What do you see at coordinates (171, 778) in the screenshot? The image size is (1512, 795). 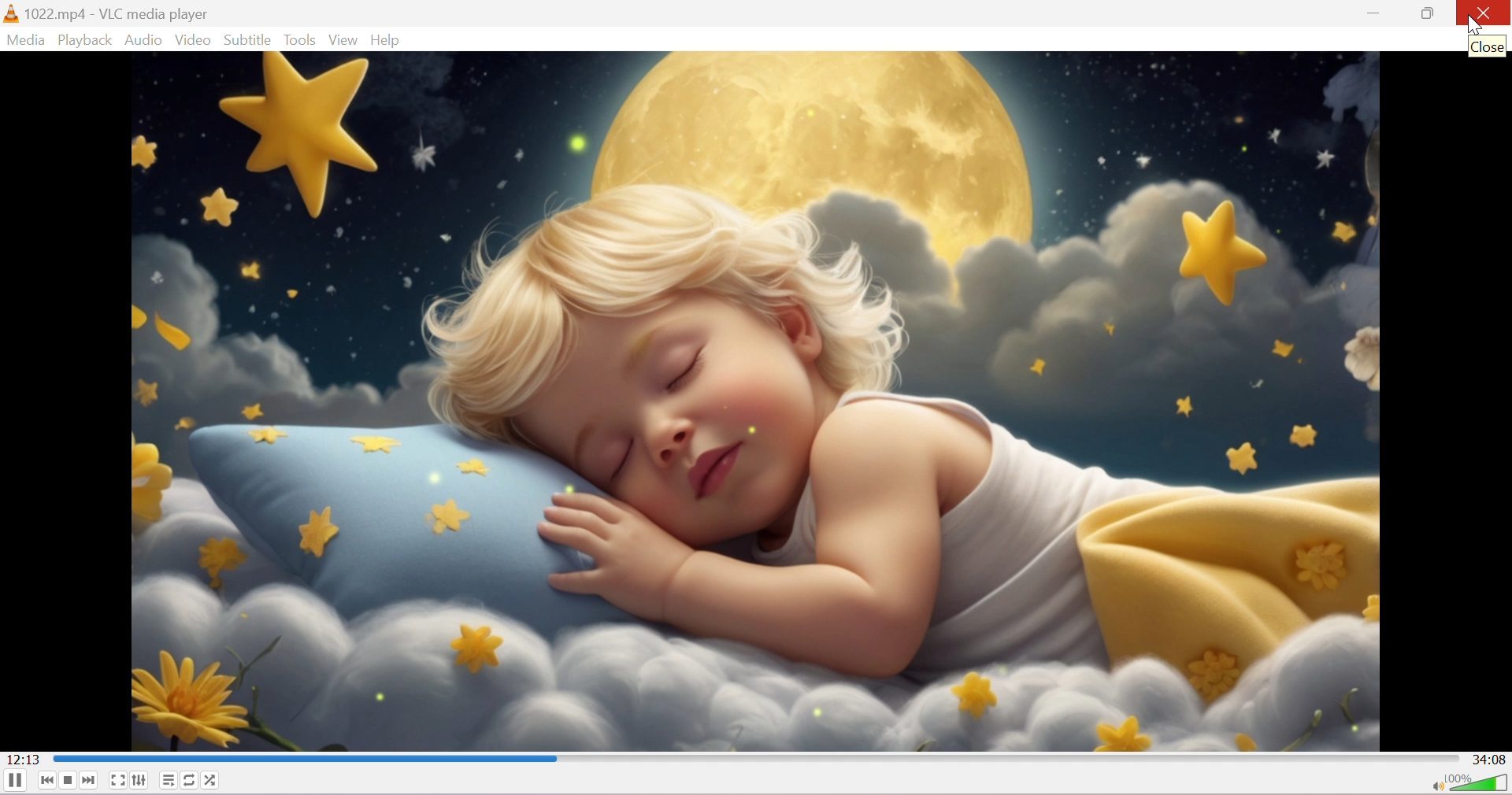 I see `Toggle playlist` at bounding box center [171, 778].